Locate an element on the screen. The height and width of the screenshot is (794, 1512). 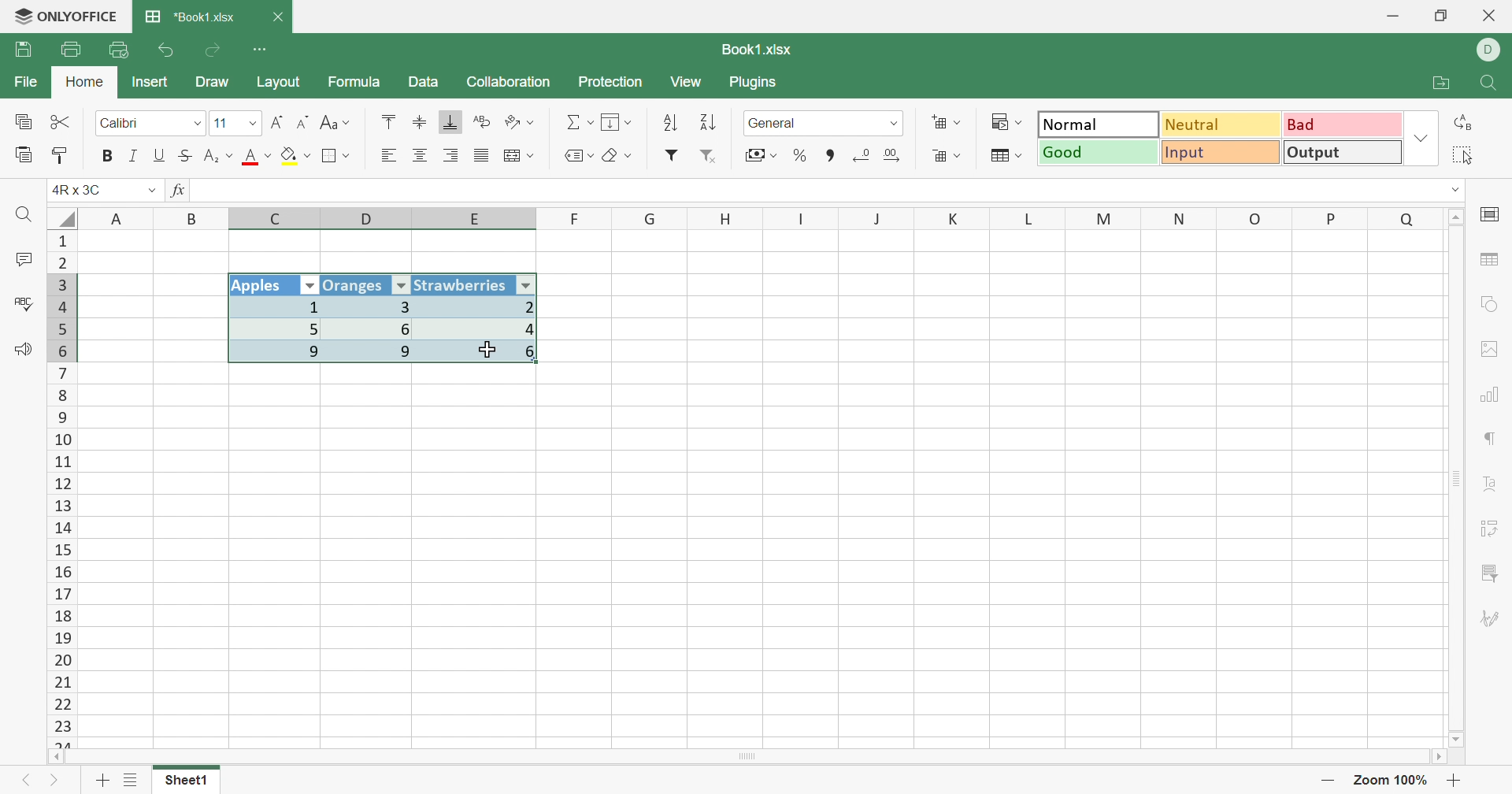
3 is located at coordinates (372, 306).